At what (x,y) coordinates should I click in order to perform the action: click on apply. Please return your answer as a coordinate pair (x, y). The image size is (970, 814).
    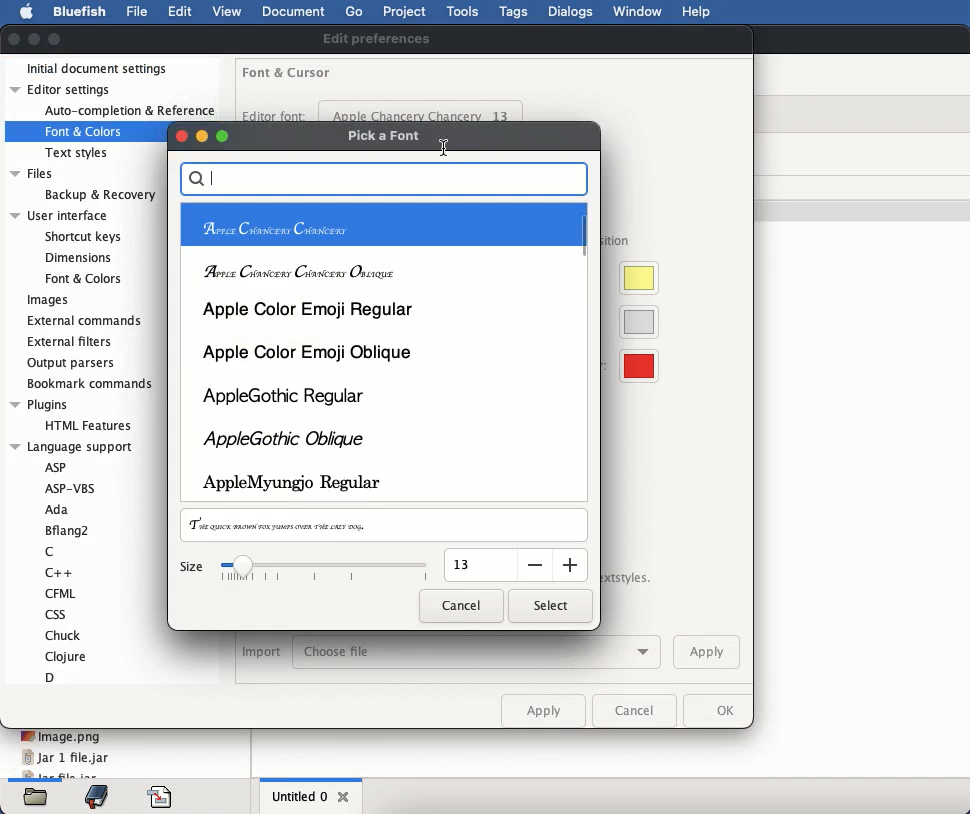
    Looking at the image, I should click on (701, 650).